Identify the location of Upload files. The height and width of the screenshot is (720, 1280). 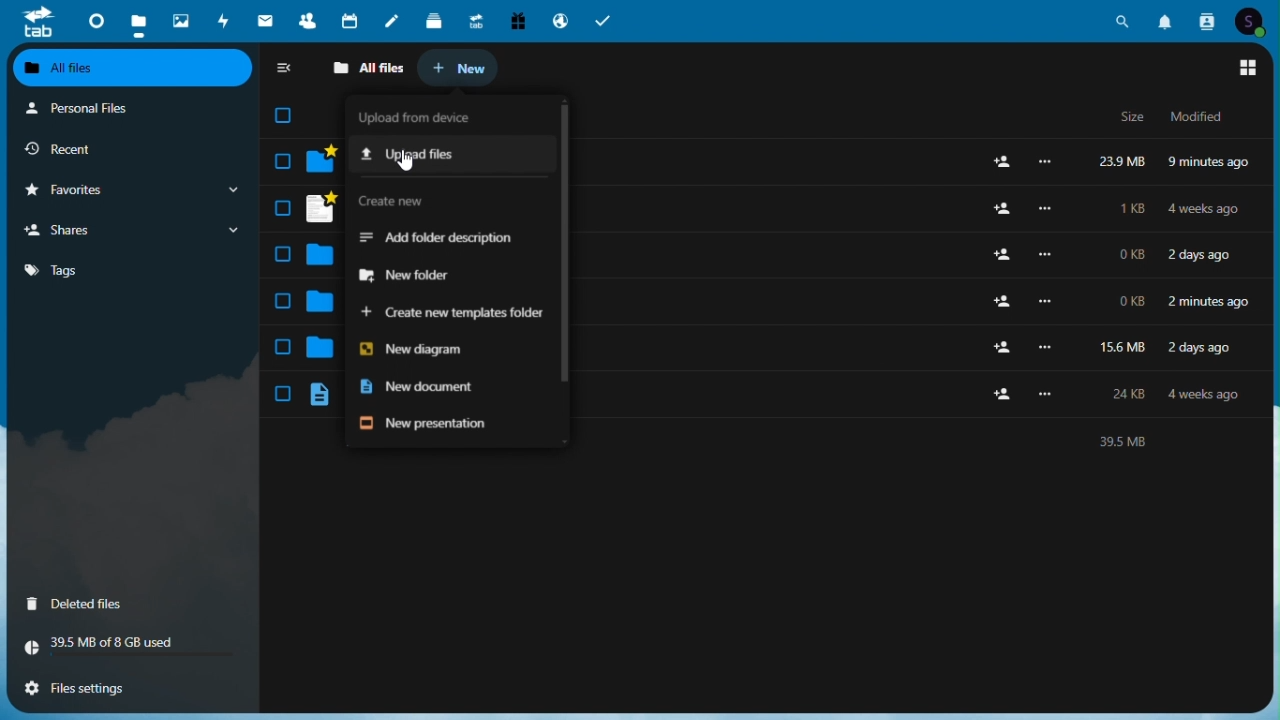
(446, 155).